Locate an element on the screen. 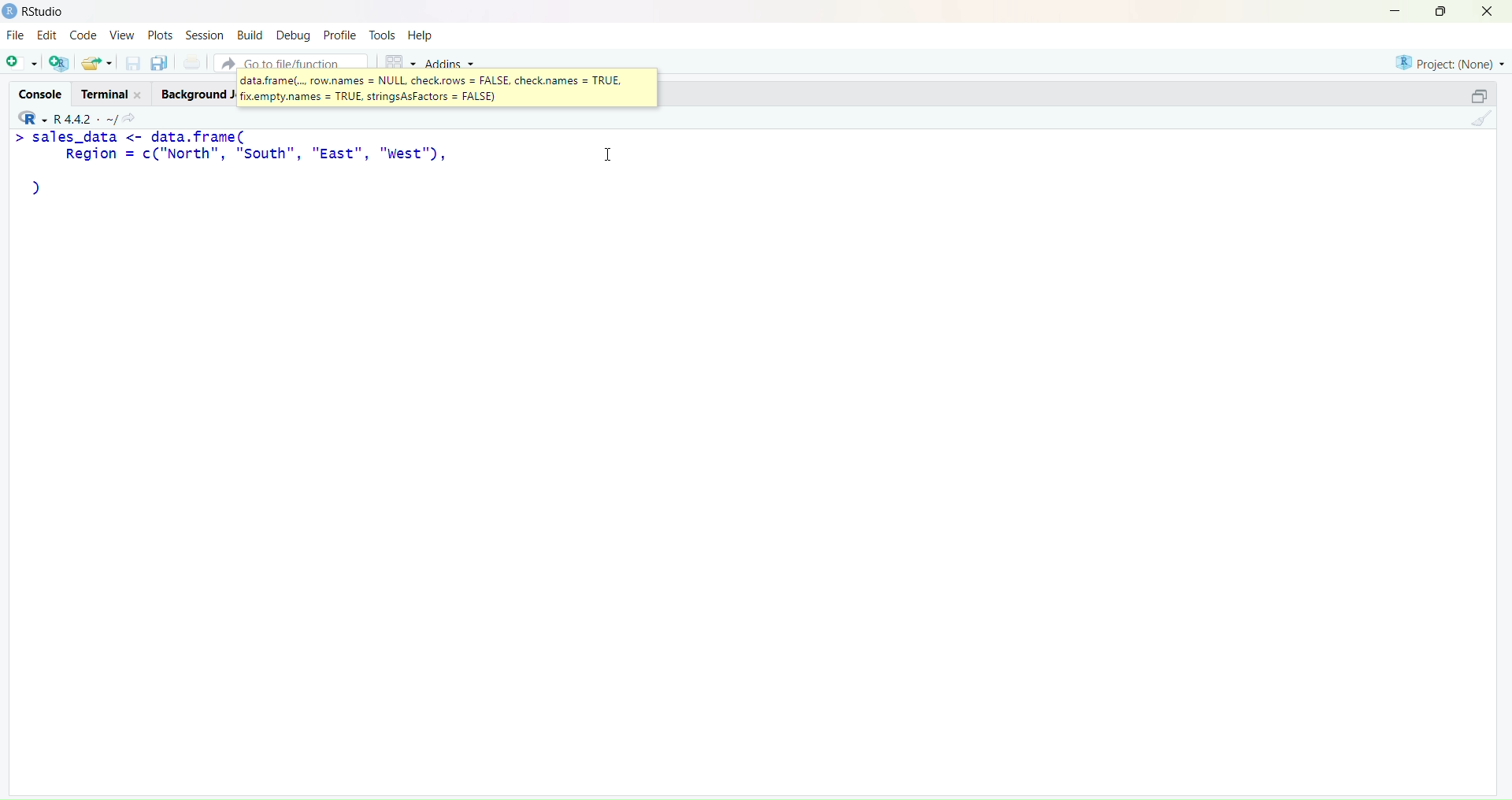 The height and width of the screenshot is (800, 1512). Debug is located at coordinates (293, 35).